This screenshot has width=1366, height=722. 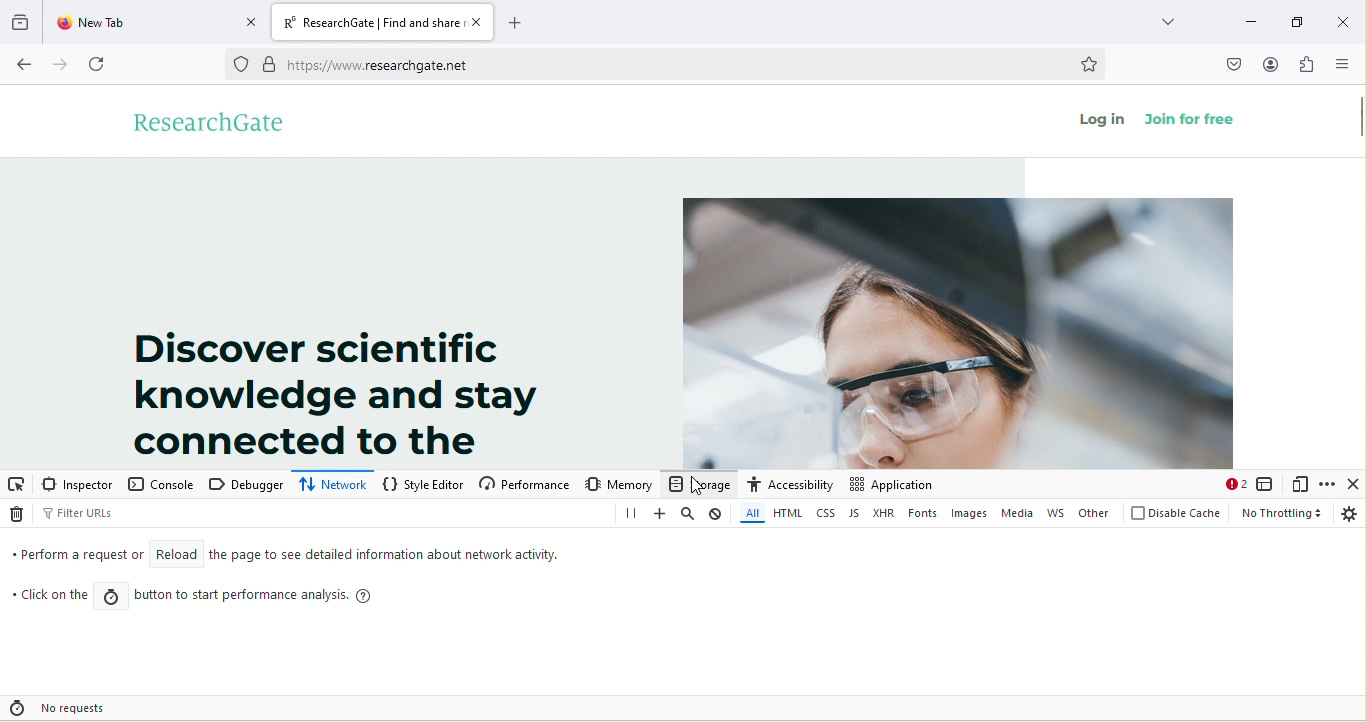 I want to click on select an frame as the currently targeted document, so click(x=1266, y=485).